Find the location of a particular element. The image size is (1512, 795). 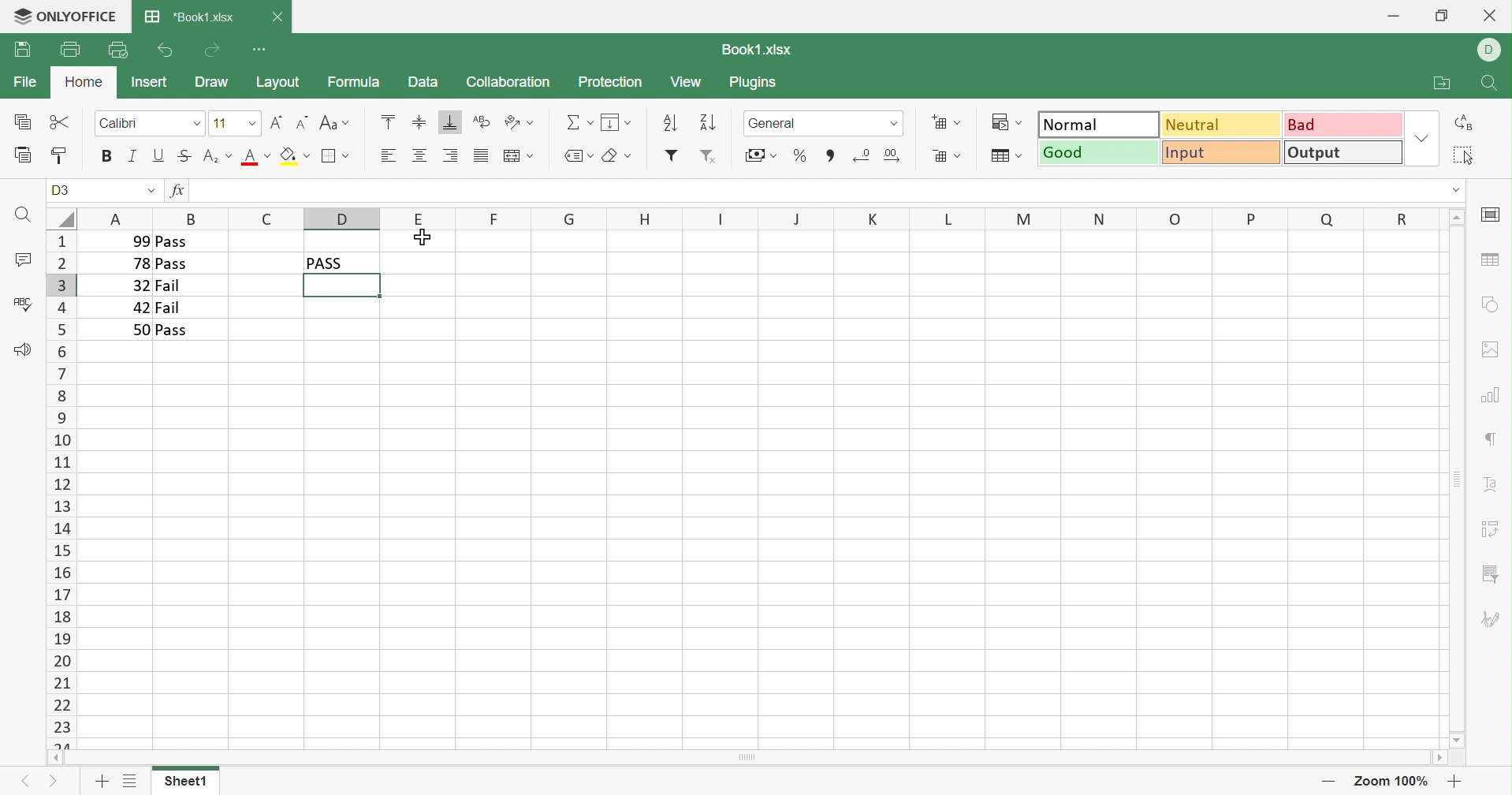

Remove filter is located at coordinates (708, 156).